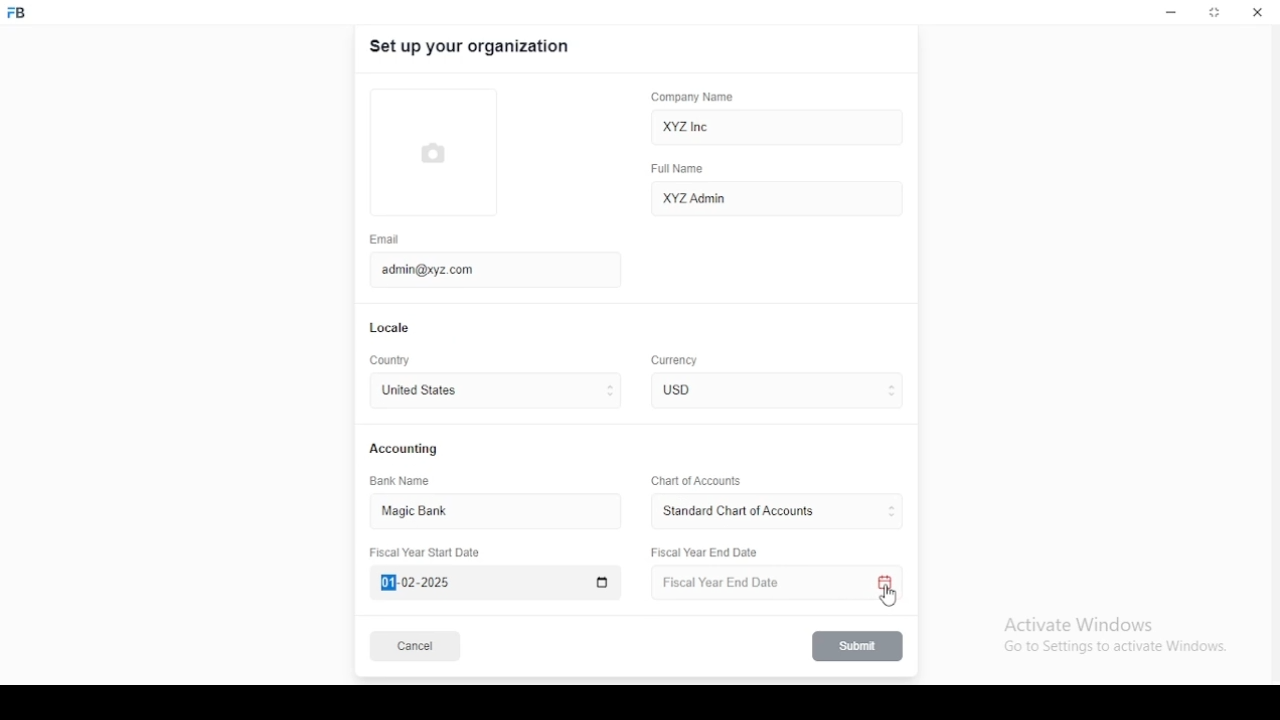 This screenshot has width=1280, height=720. What do you see at coordinates (498, 583) in the screenshot?
I see `Fiscal Year Start Date` at bounding box center [498, 583].